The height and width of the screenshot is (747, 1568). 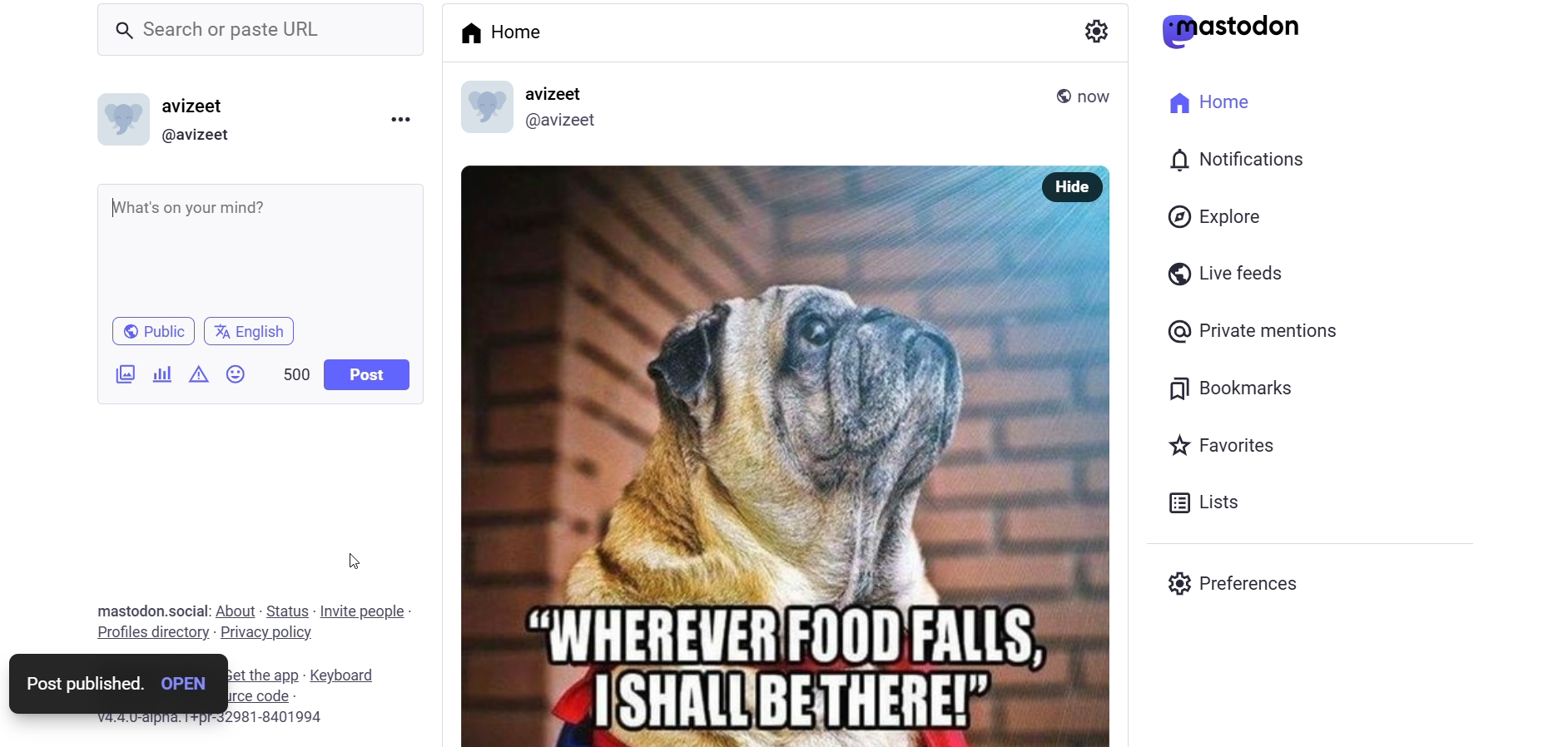 I want to click on hide, so click(x=1078, y=186).